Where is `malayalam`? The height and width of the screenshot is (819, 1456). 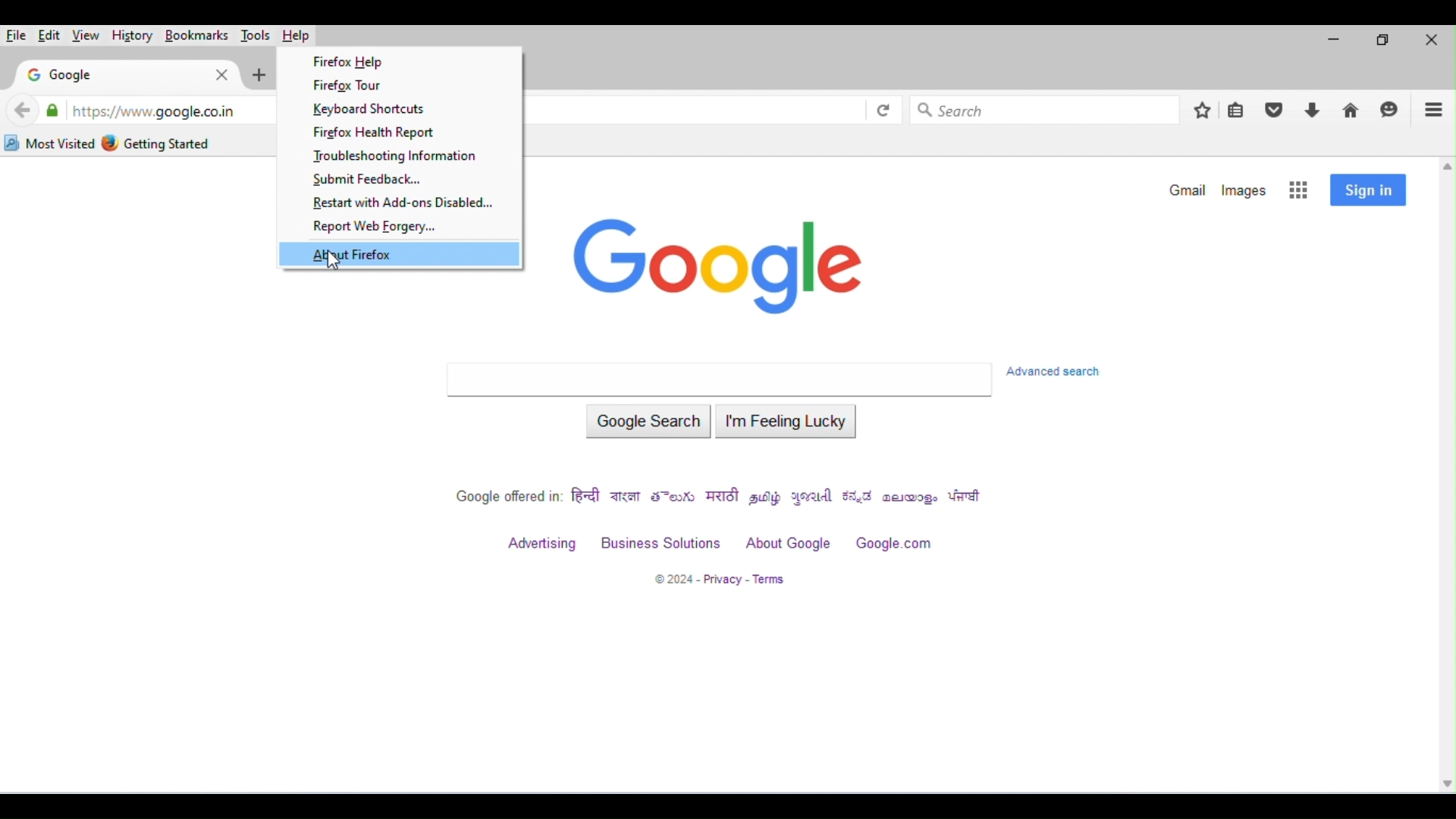
malayalam is located at coordinates (912, 499).